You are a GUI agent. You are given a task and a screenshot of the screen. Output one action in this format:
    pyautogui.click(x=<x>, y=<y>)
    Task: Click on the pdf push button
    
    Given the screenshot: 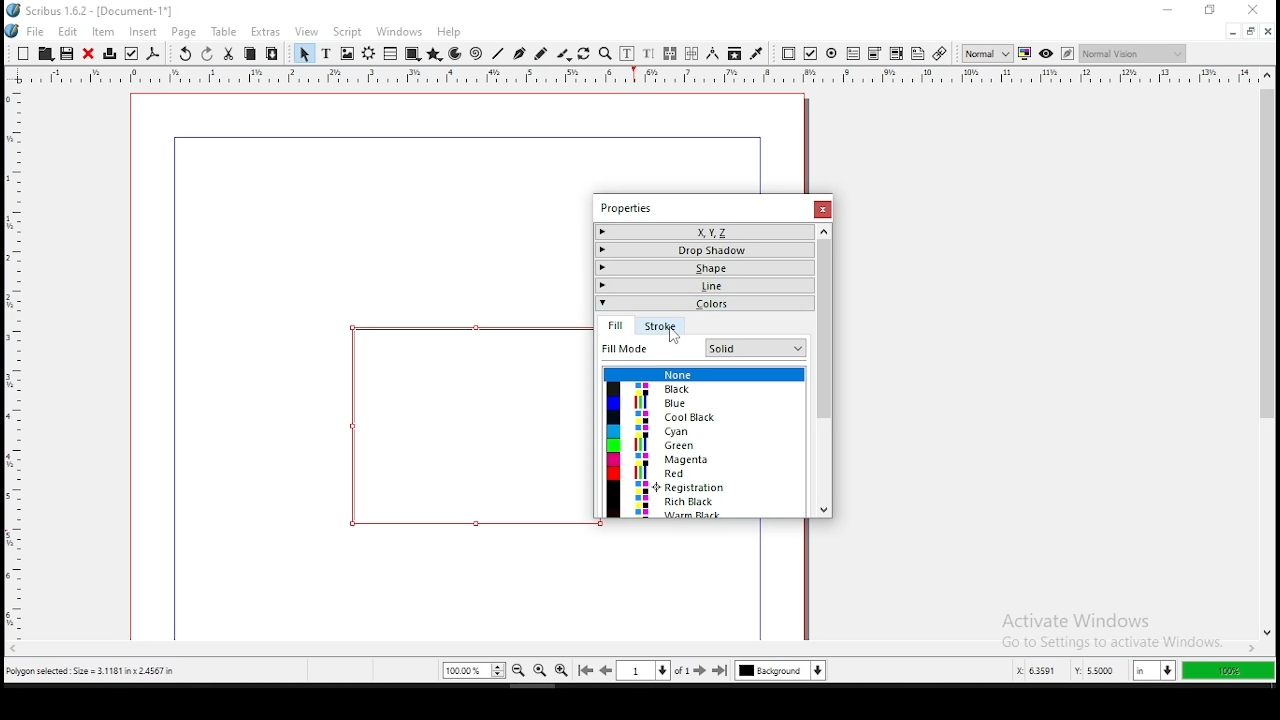 What is the action you would take?
    pyautogui.click(x=789, y=55)
    